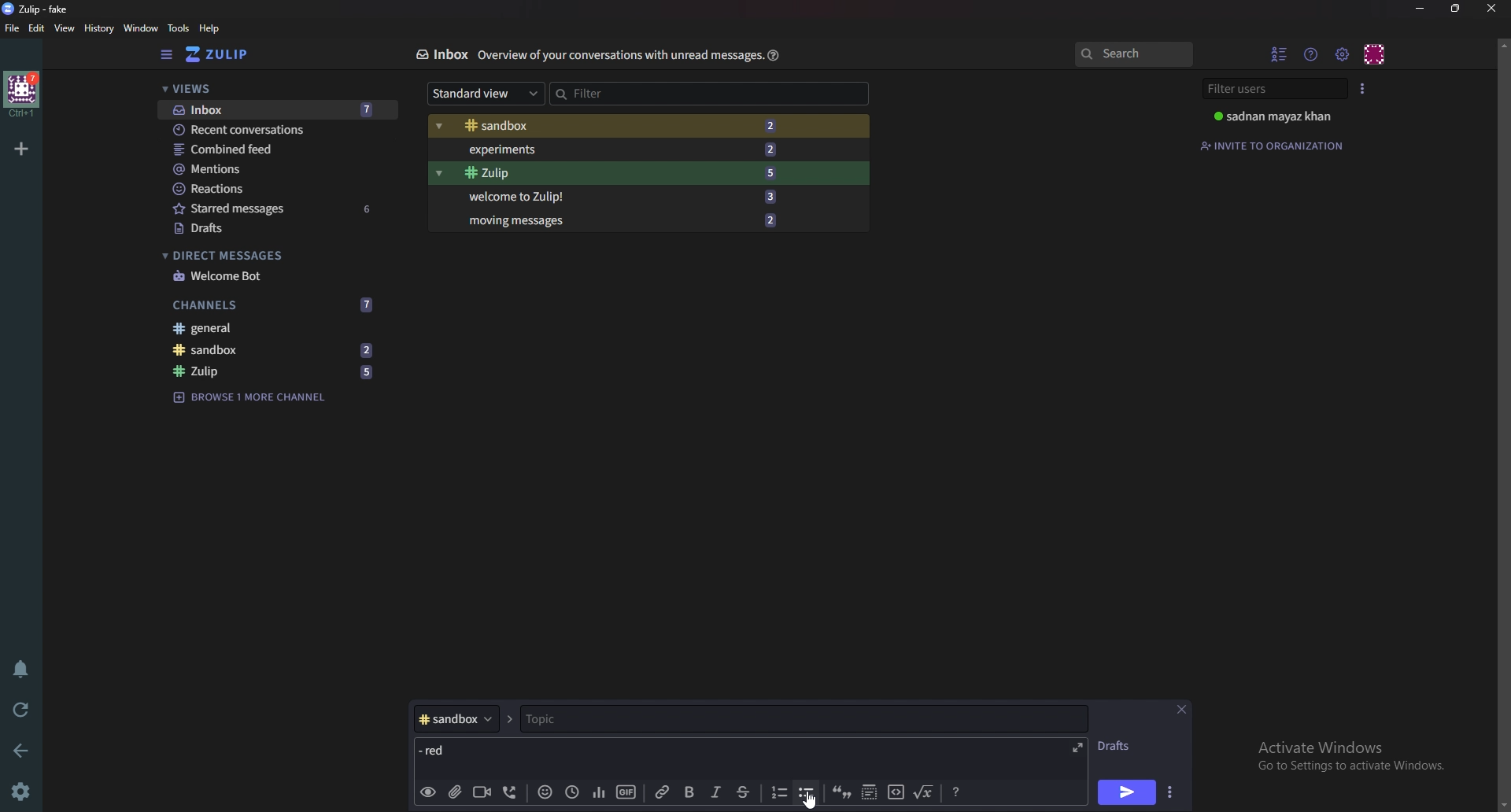  Describe the element at coordinates (617, 93) in the screenshot. I see `Filter` at that location.